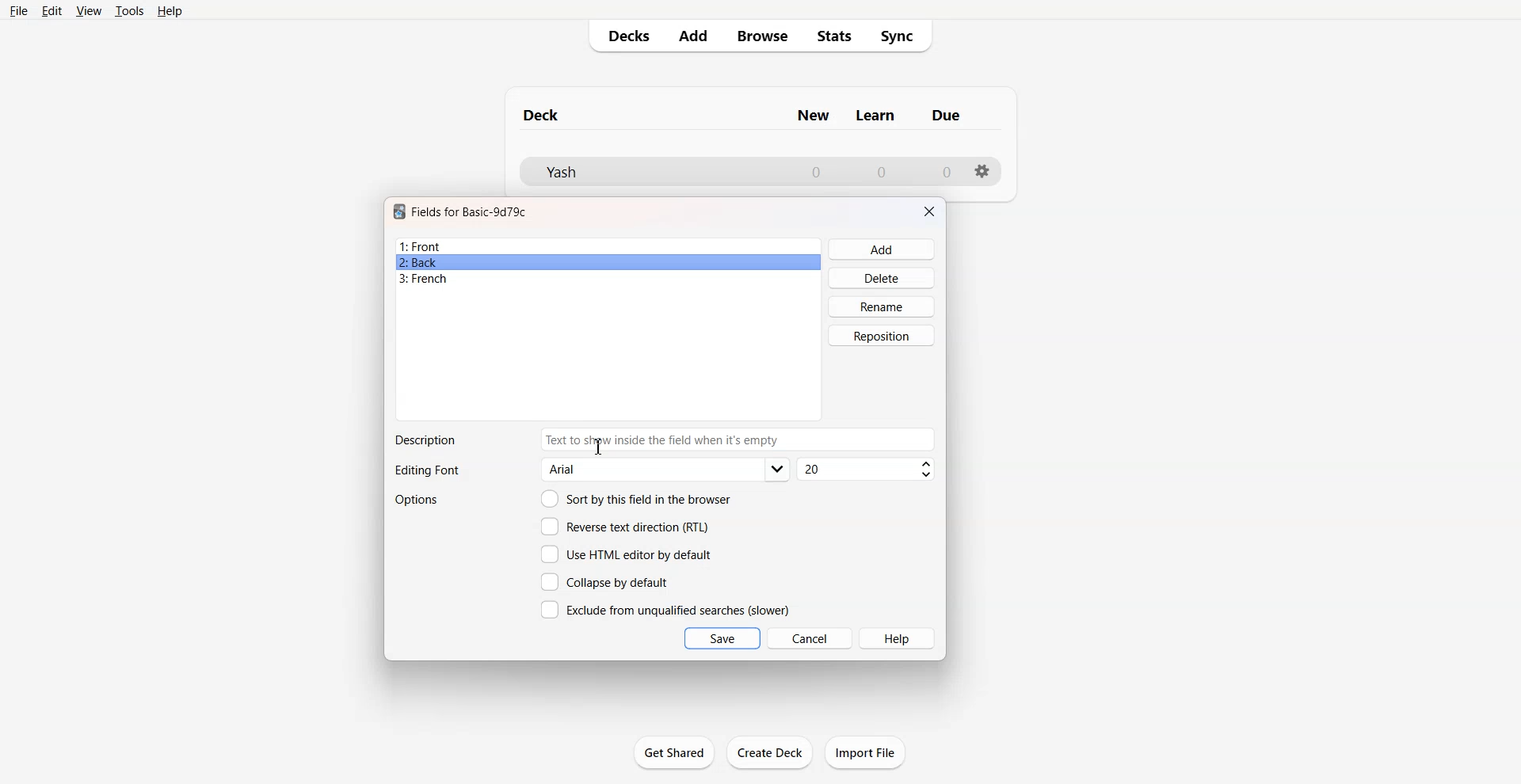 The height and width of the screenshot is (784, 1521). Describe the element at coordinates (902, 36) in the screenshot. I see `Sync` at that location.